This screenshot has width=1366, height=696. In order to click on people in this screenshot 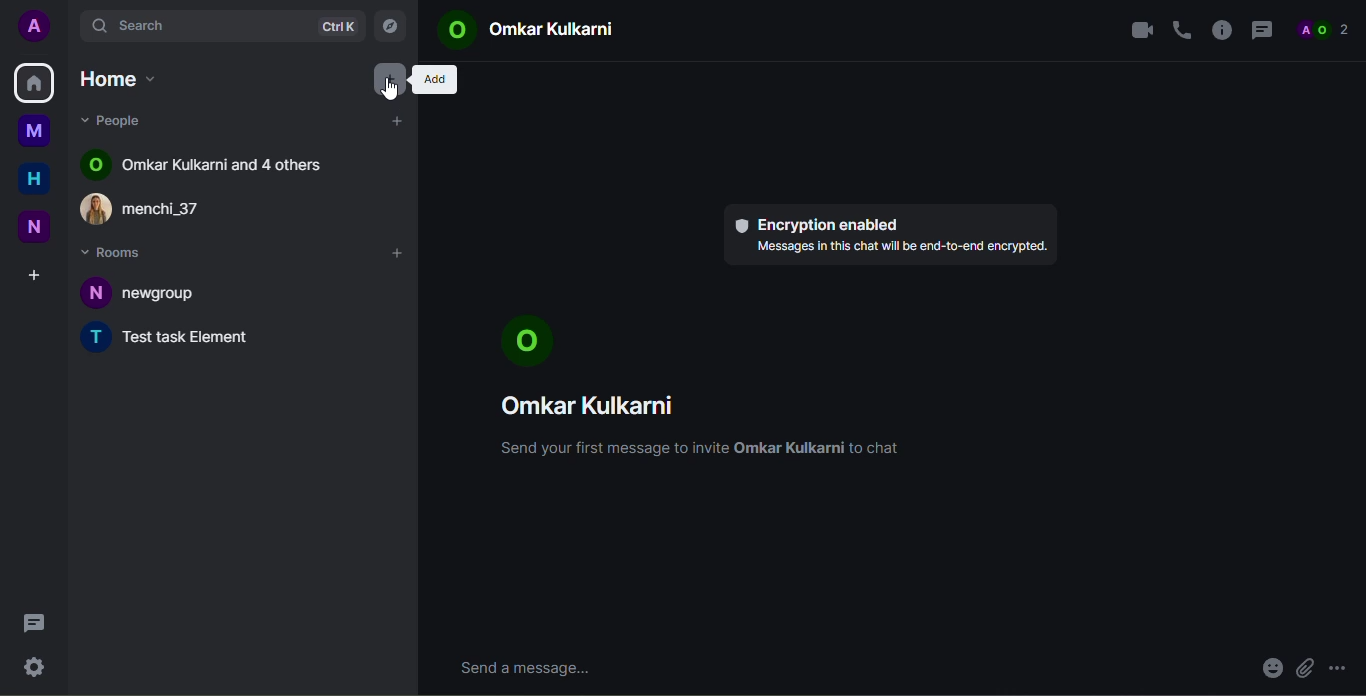, I will do `click(120, 120)`.